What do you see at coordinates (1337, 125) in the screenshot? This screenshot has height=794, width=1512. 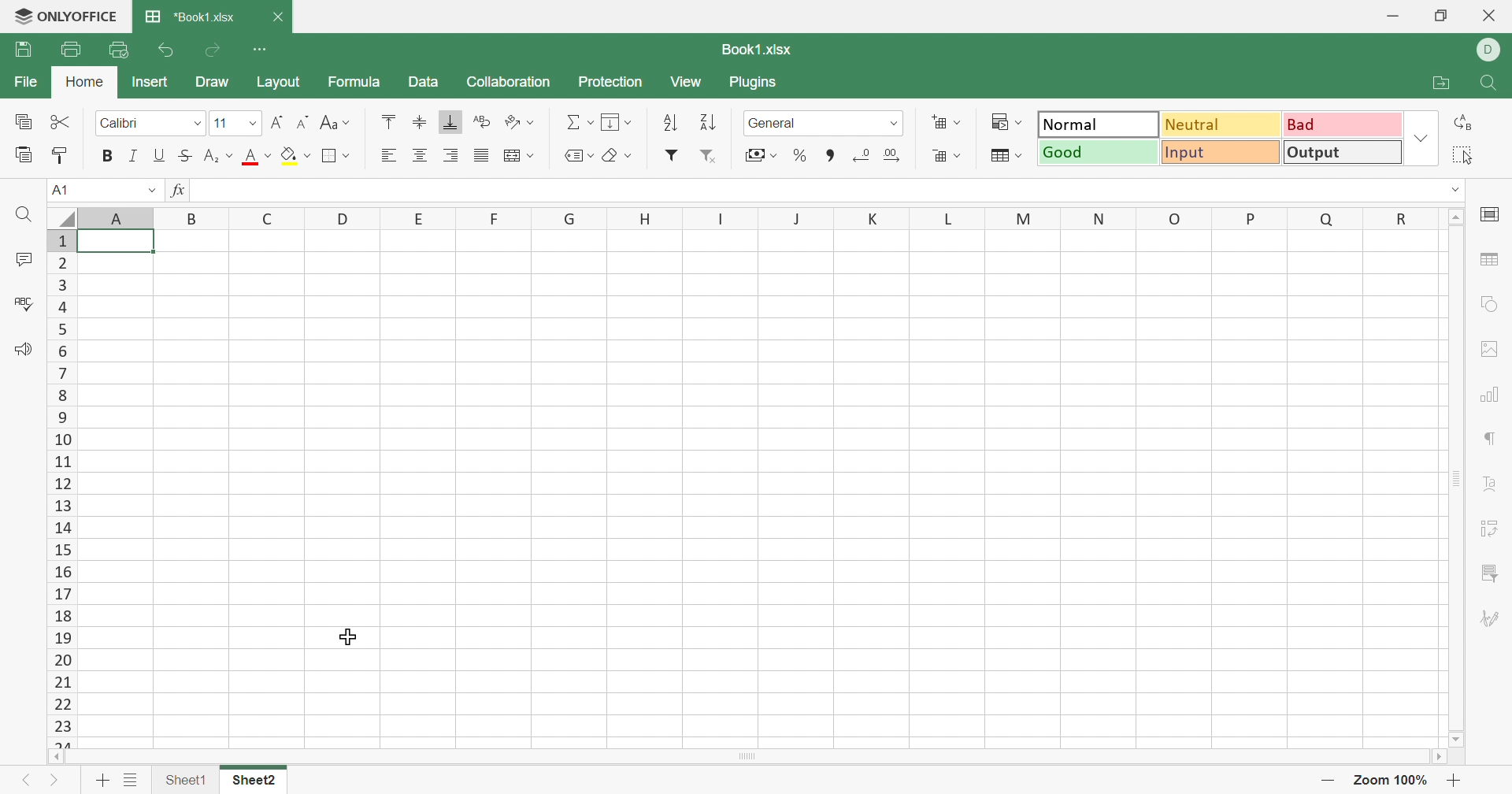 I see `Bad` at bounding box center [1337, 125].